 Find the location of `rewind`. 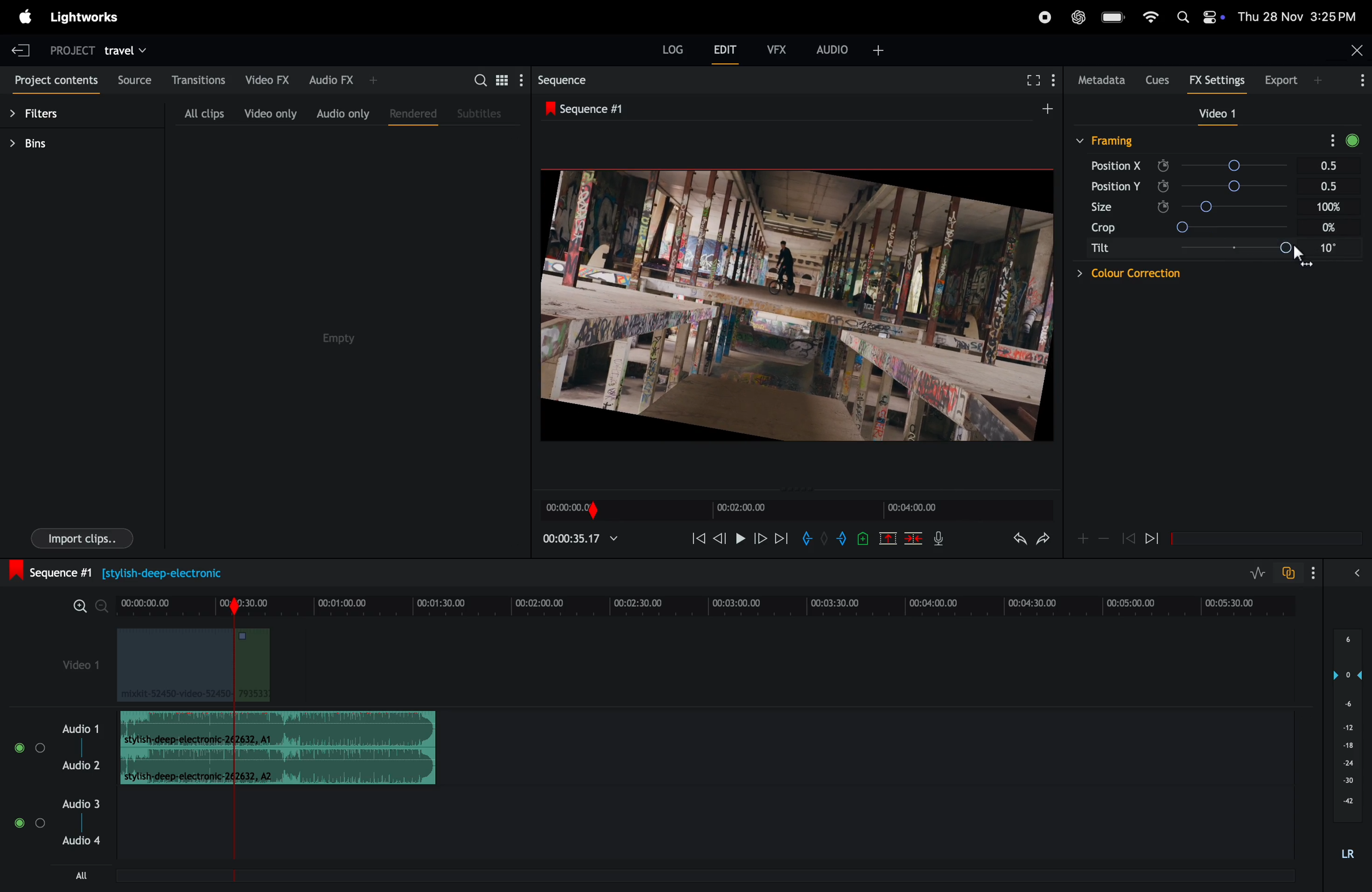

rewind is located at coordinates (698, 538).